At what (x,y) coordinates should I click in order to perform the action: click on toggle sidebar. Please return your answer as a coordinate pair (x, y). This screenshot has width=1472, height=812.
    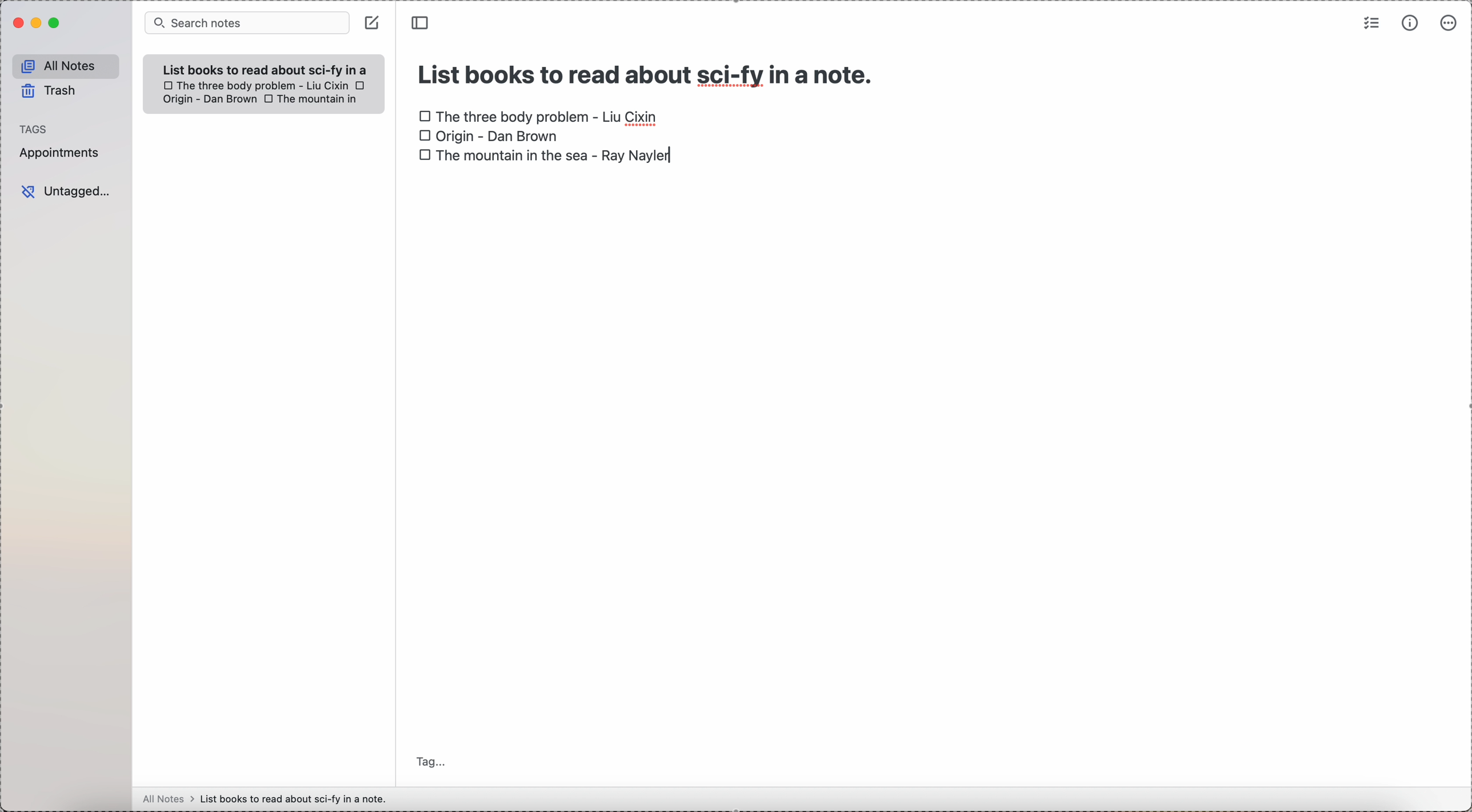
    Looking at the image, I should click on (422, 22).